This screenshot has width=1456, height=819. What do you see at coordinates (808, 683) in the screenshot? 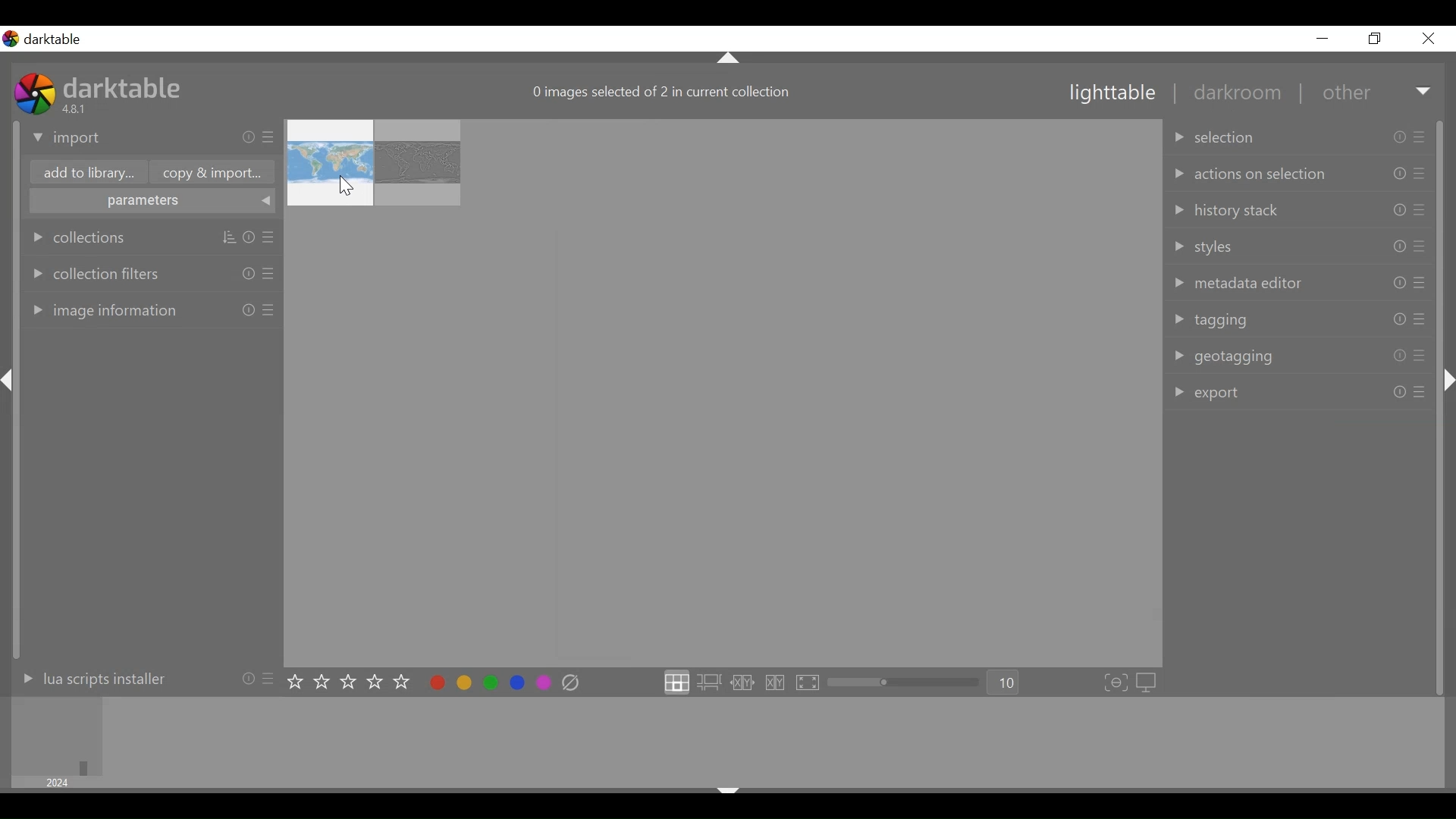
I see `click to enter full preview layout` at bounding box center [808, 683].